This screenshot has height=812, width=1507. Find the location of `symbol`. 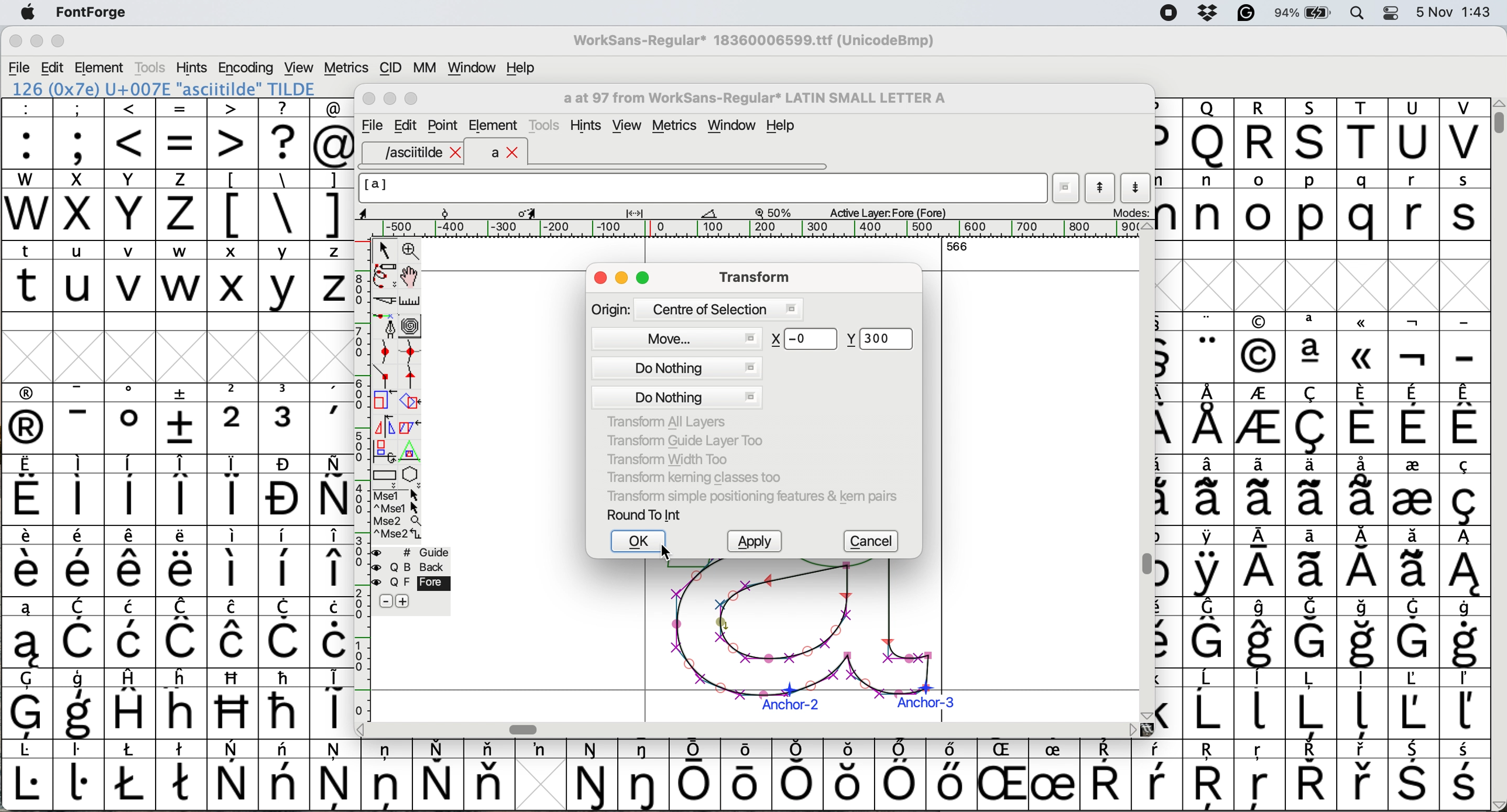

symbol is located at coordinates (1463, 490).